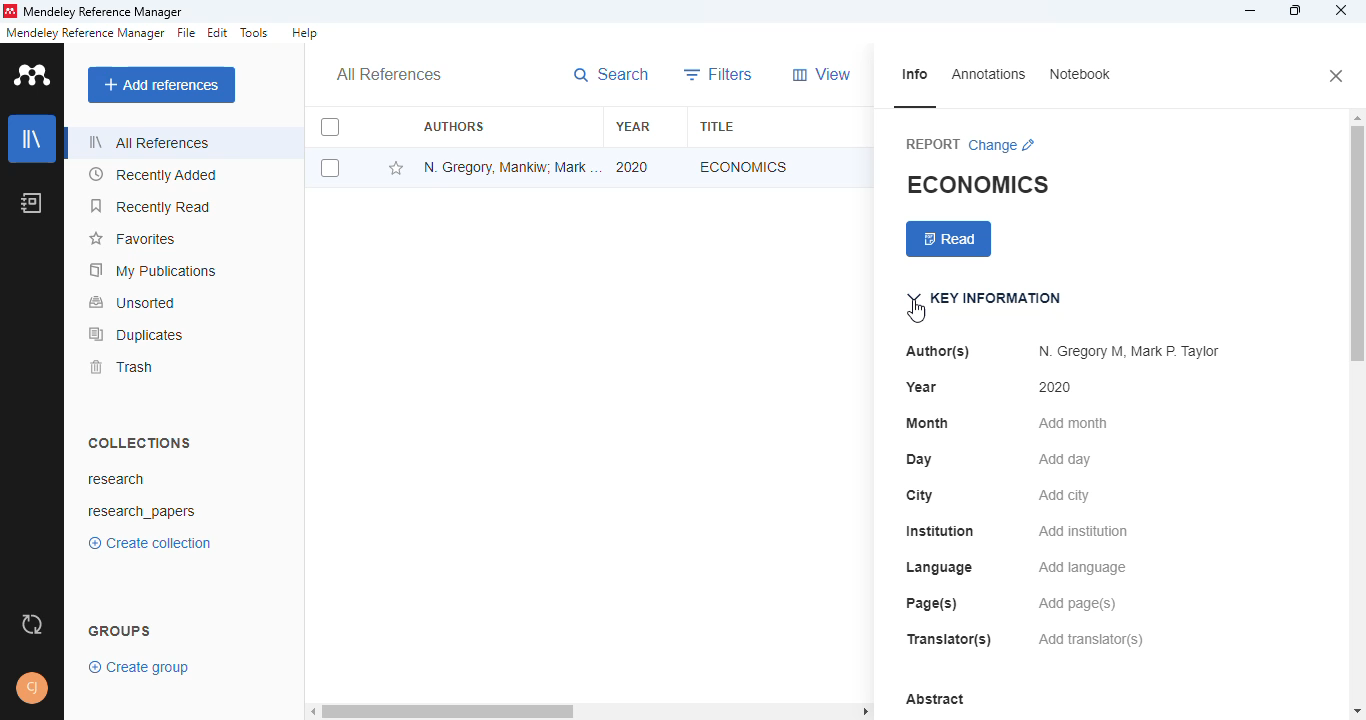 This screenshot has width=1366, height=720. Describe the element at coordinates (1081, 74) in the screenshot. I see `notebook` at that location.